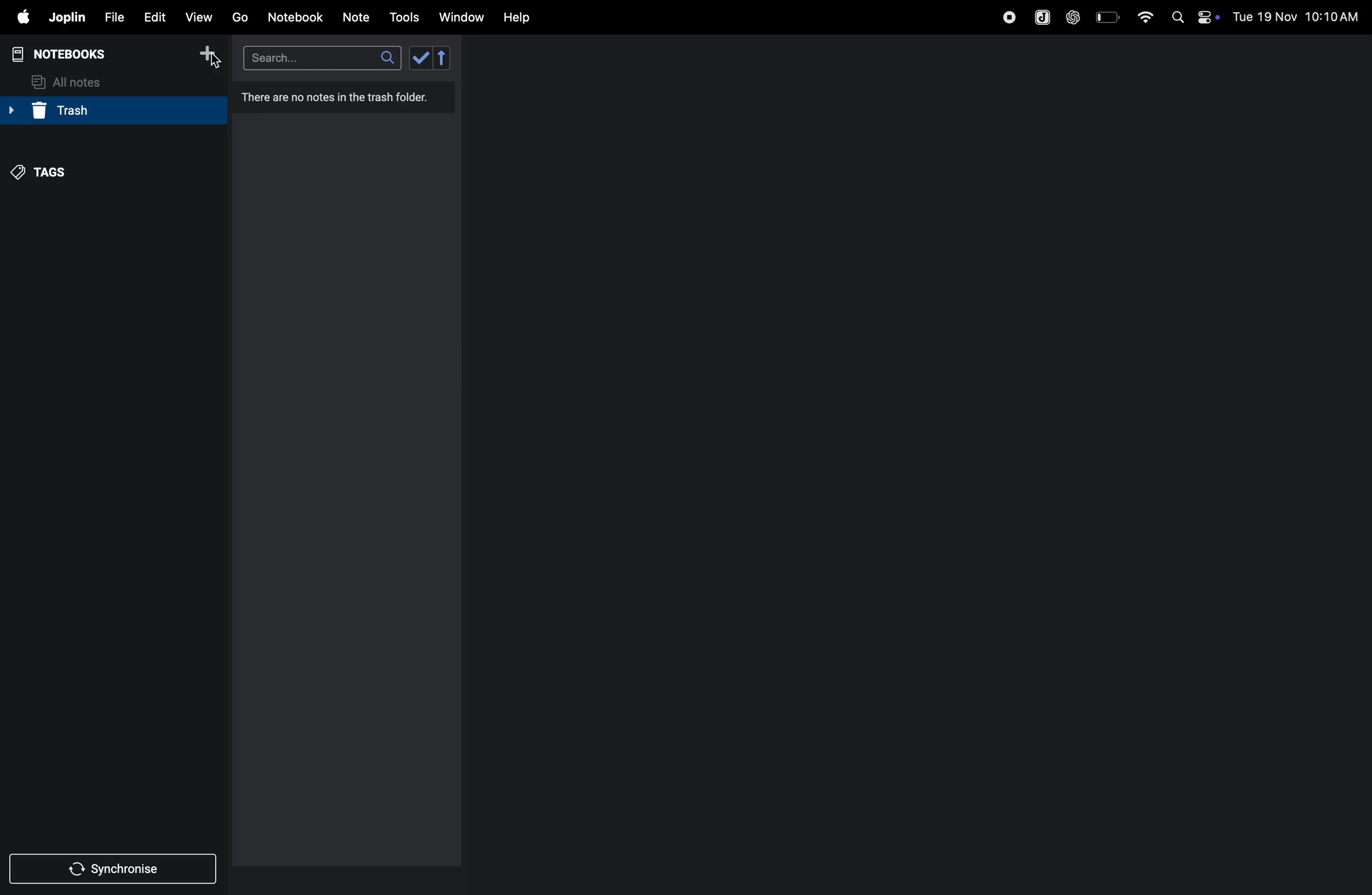 This screenshot has width=1372, height=895. Describe the element at coordinates (76, 81) in the screenshot. I see `all notes` at that location.